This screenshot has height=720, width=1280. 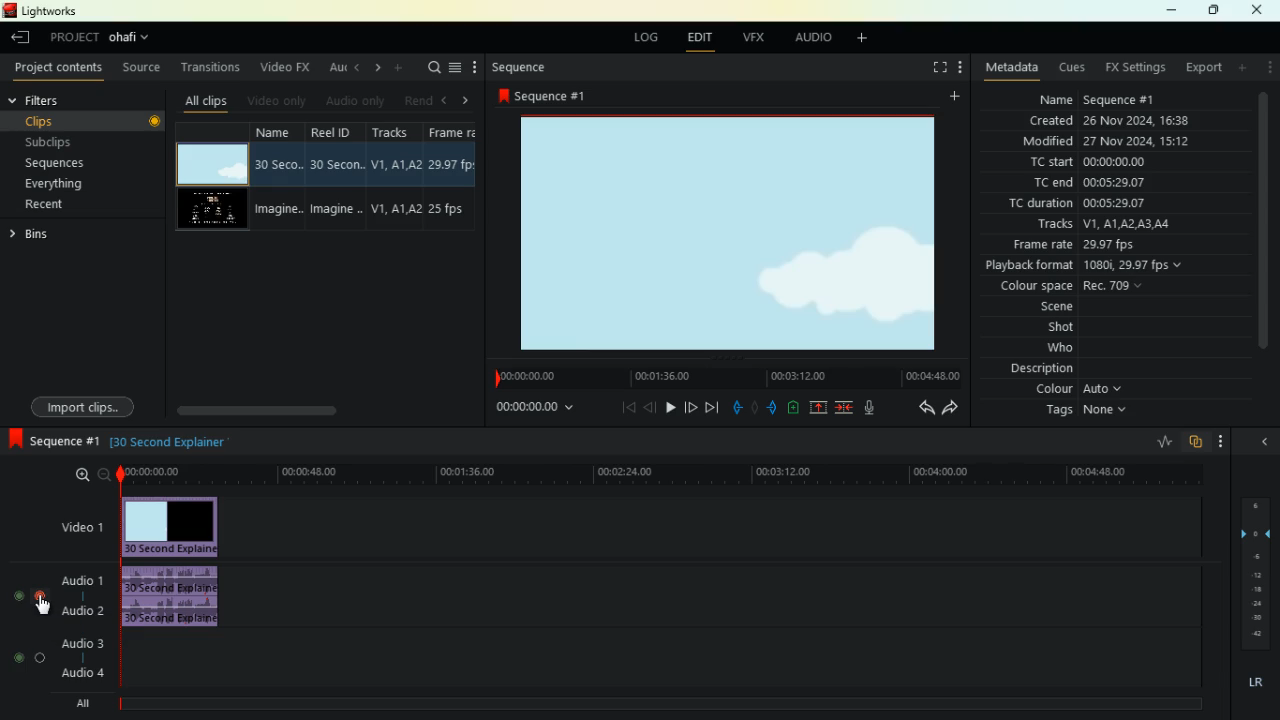 What do you see at coordinates (771, 409) in the screenshot?
I see `push` at bounding box center [771, 409].